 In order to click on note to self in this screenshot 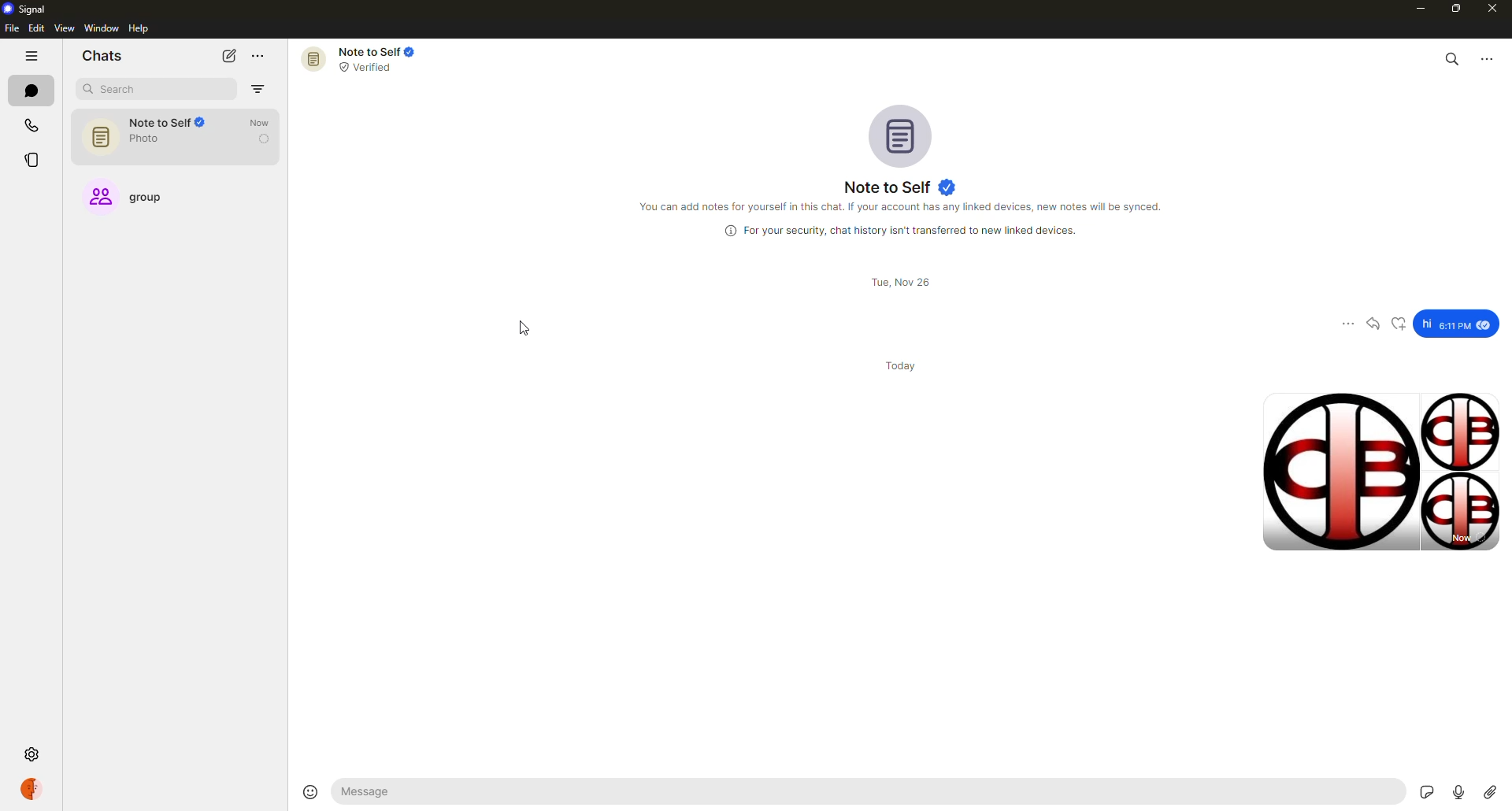, I will do `click(176, 135)`.